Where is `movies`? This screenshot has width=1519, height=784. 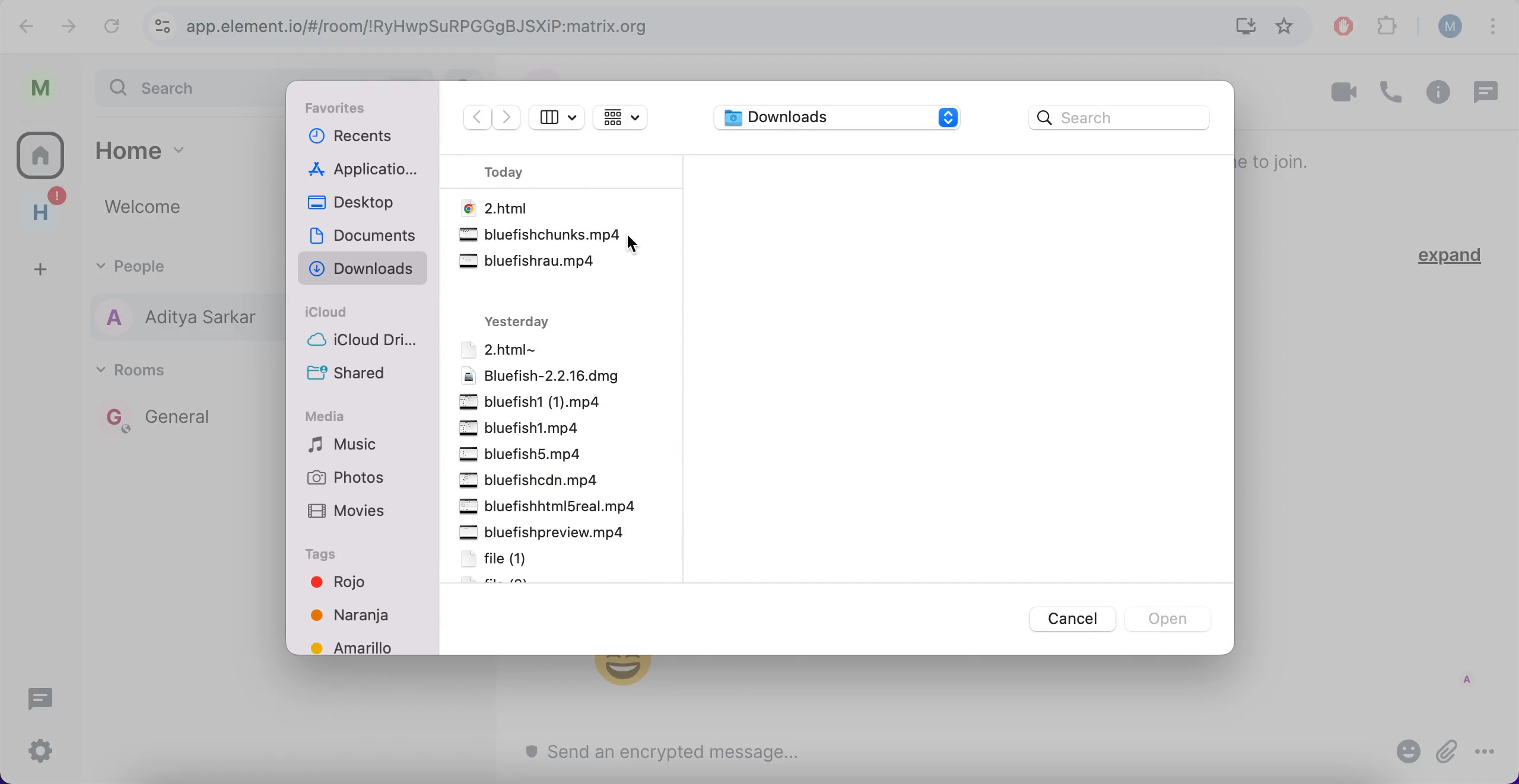
movies is located at coordinates (345, 509).